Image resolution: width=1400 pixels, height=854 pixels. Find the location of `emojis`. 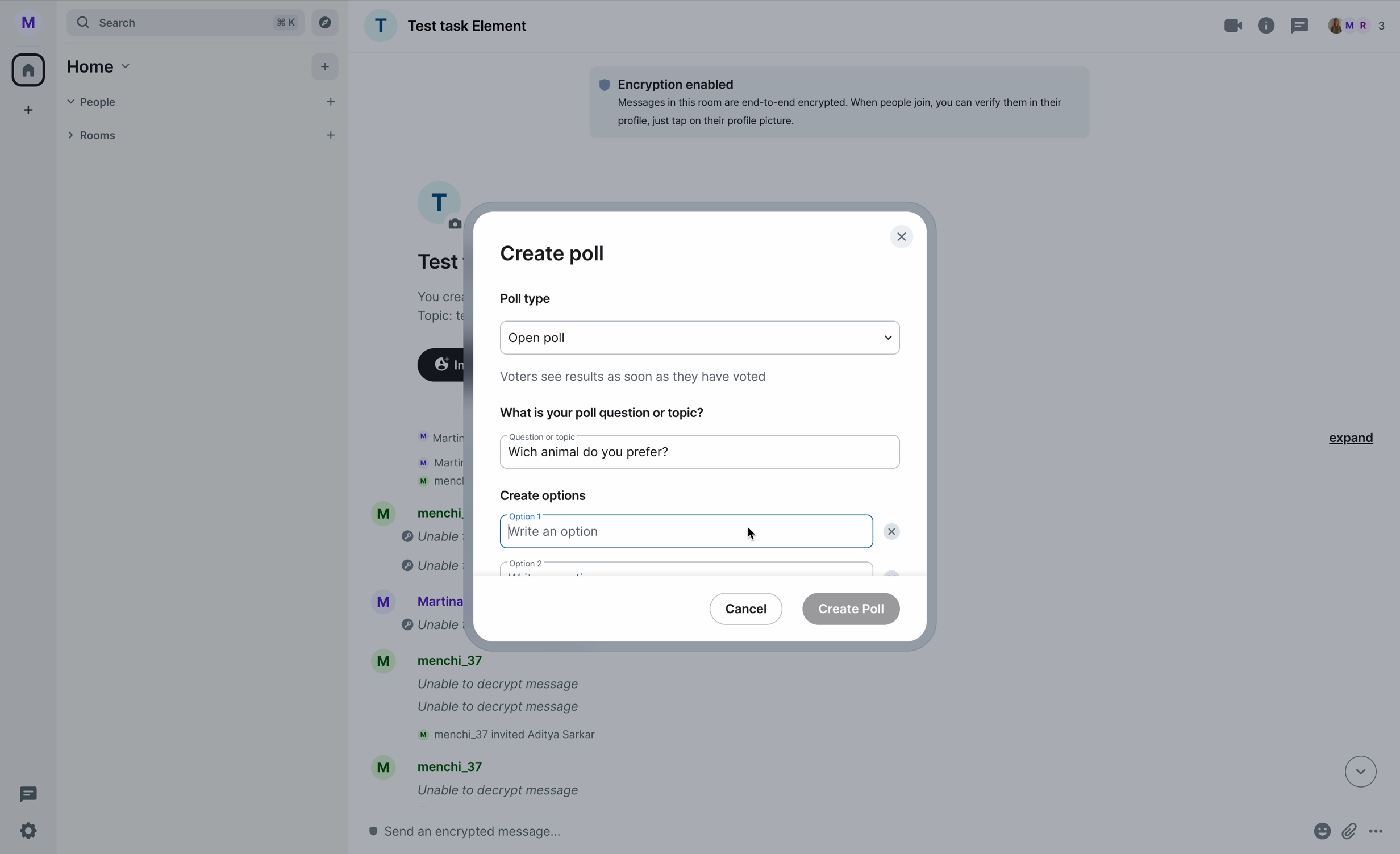

emojis is located at coordinates (1319, 836).